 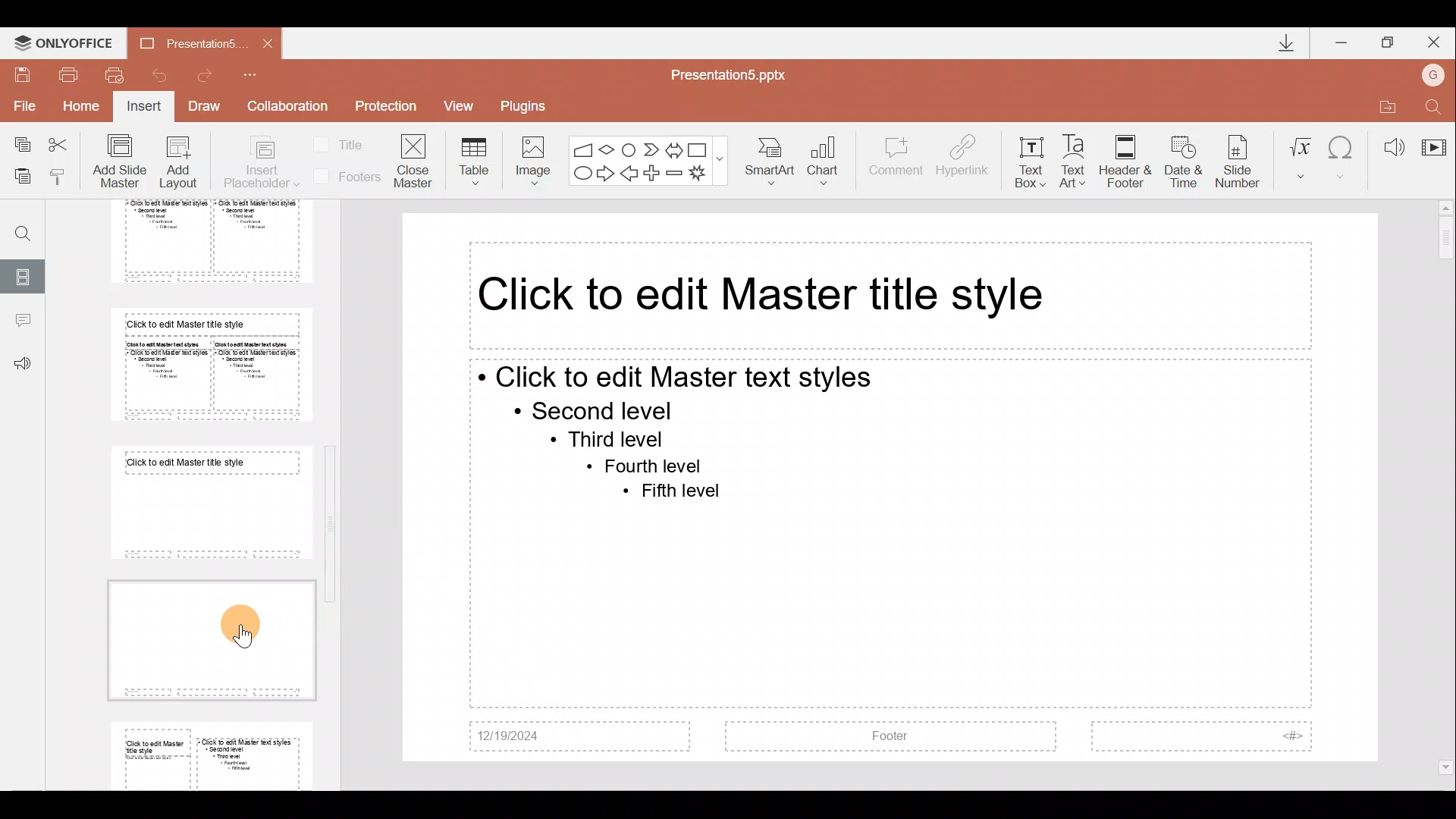 What do you see at coordinates (206, 638) in the screenshot?
I see `Slide 8` at bounding box center [206, 638].